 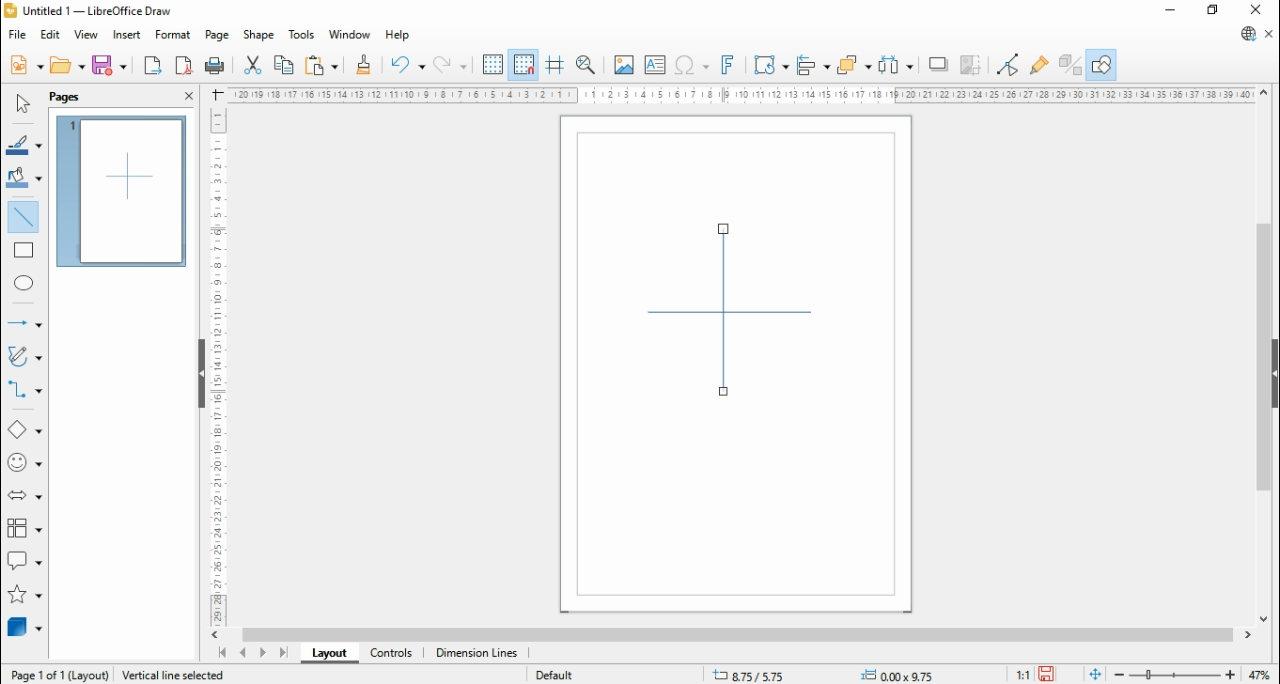 I want to click on format, so click(x=174, y=35).